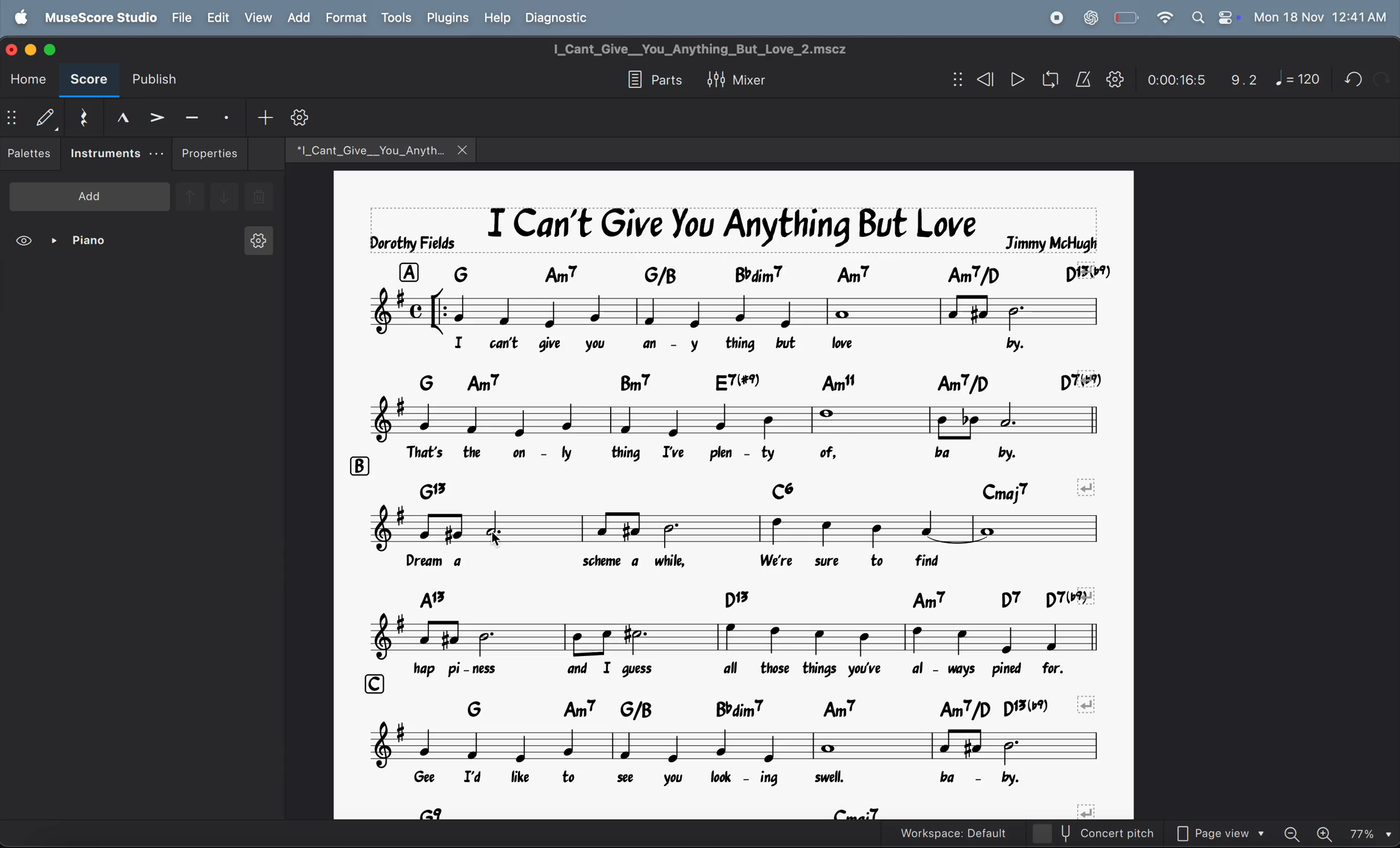 This screenshot has height=848, width=1400. What do you see at coordinates (739, 311) in the screenshot?
I see `notes` at bounding box center [739, 311].